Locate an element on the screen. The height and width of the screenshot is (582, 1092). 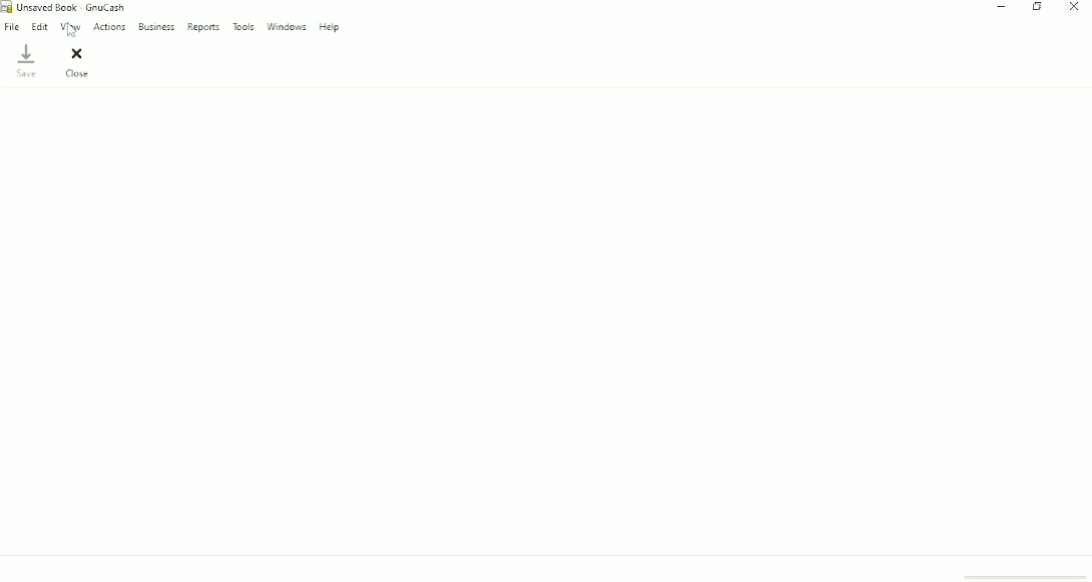
Business is located at coordinates (157, 27).